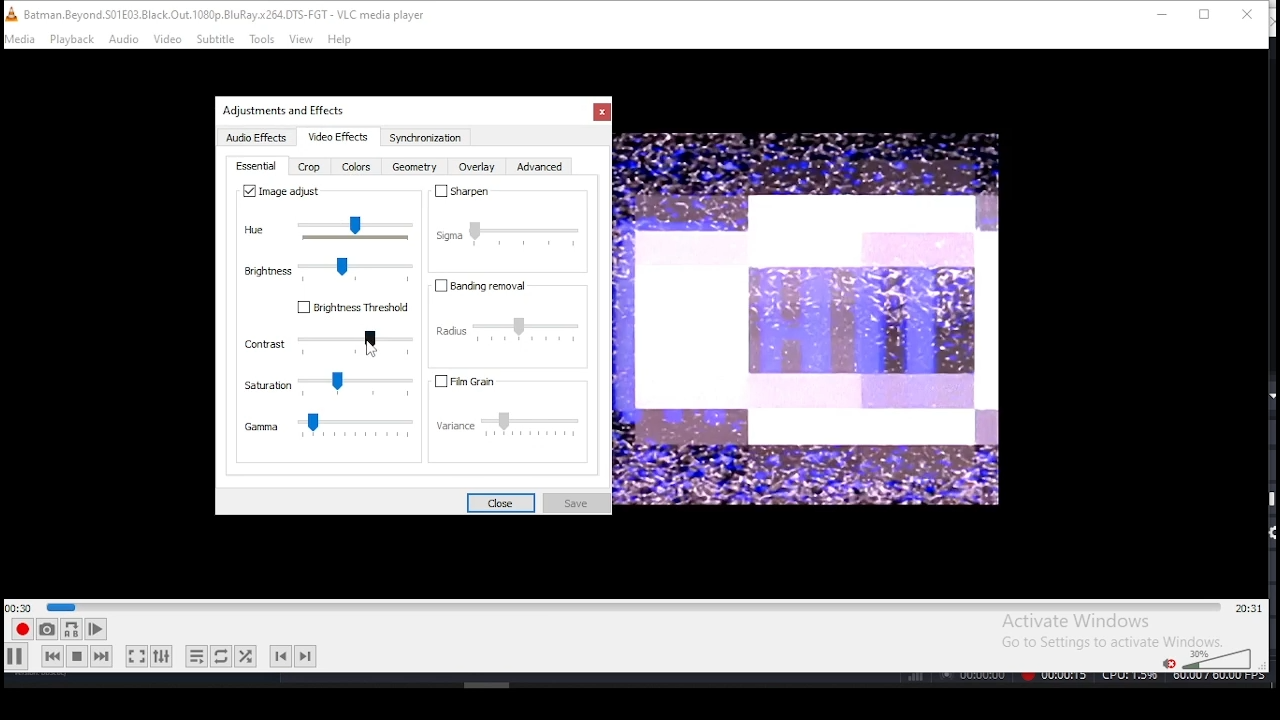 This screenshot has height=720, width=1280. What do you see at coordinates (287, 111) in the screenshot?
I see `` at bounding box center [287, 111].